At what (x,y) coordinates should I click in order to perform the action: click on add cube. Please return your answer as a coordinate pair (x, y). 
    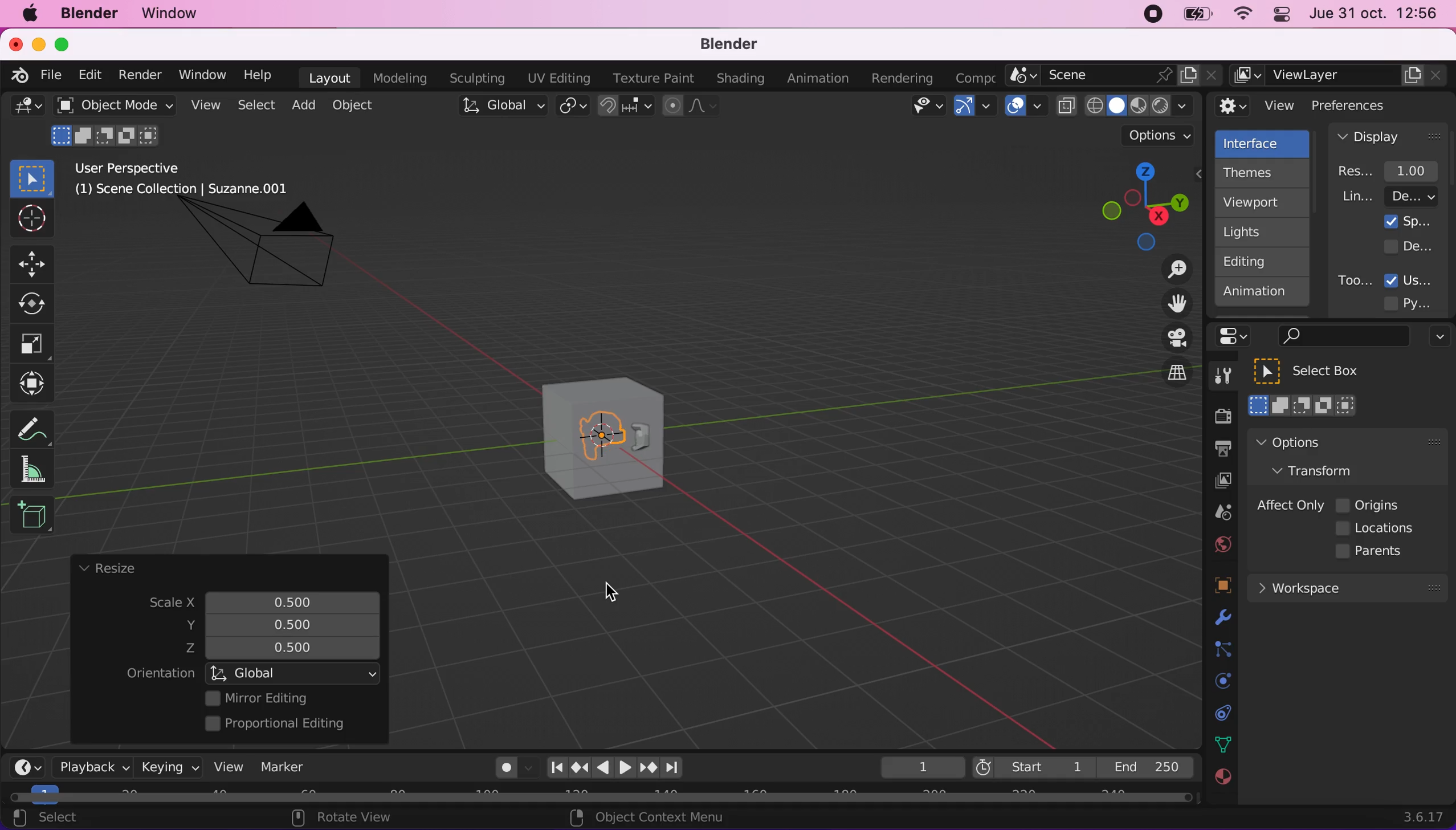
    Looking at the image, I should click on (32, 516).